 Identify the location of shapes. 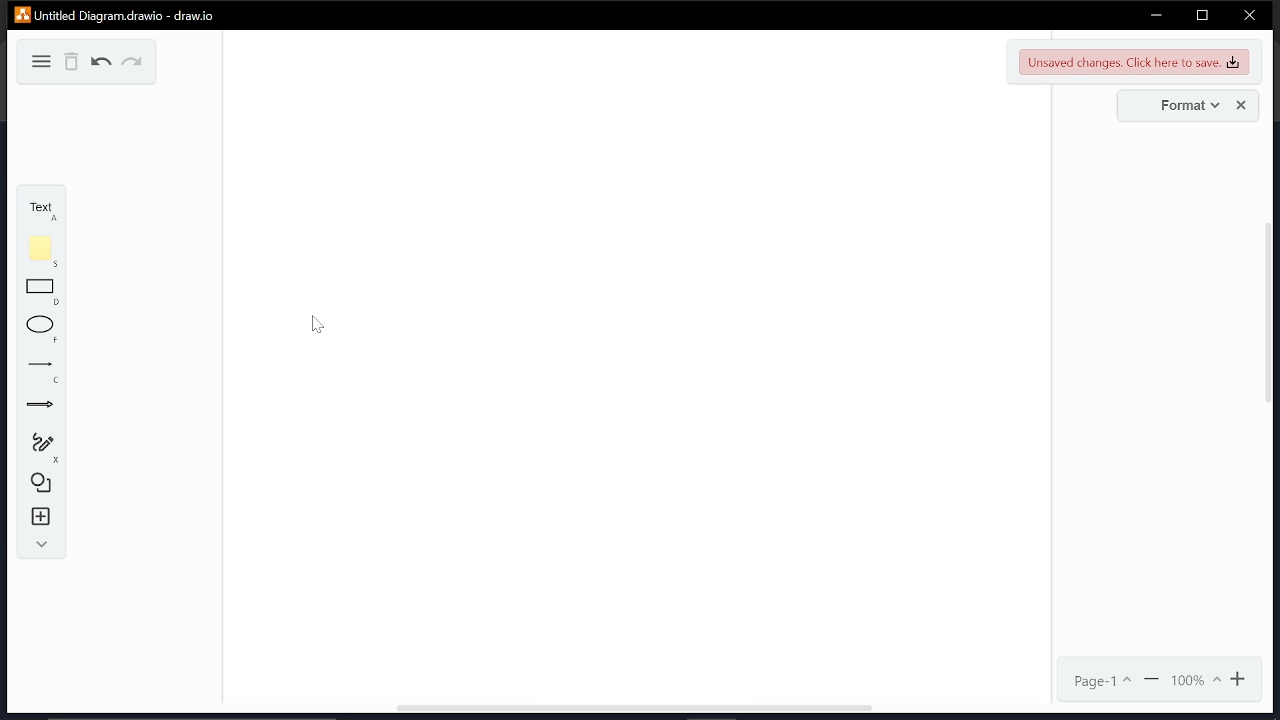
(42, 481).